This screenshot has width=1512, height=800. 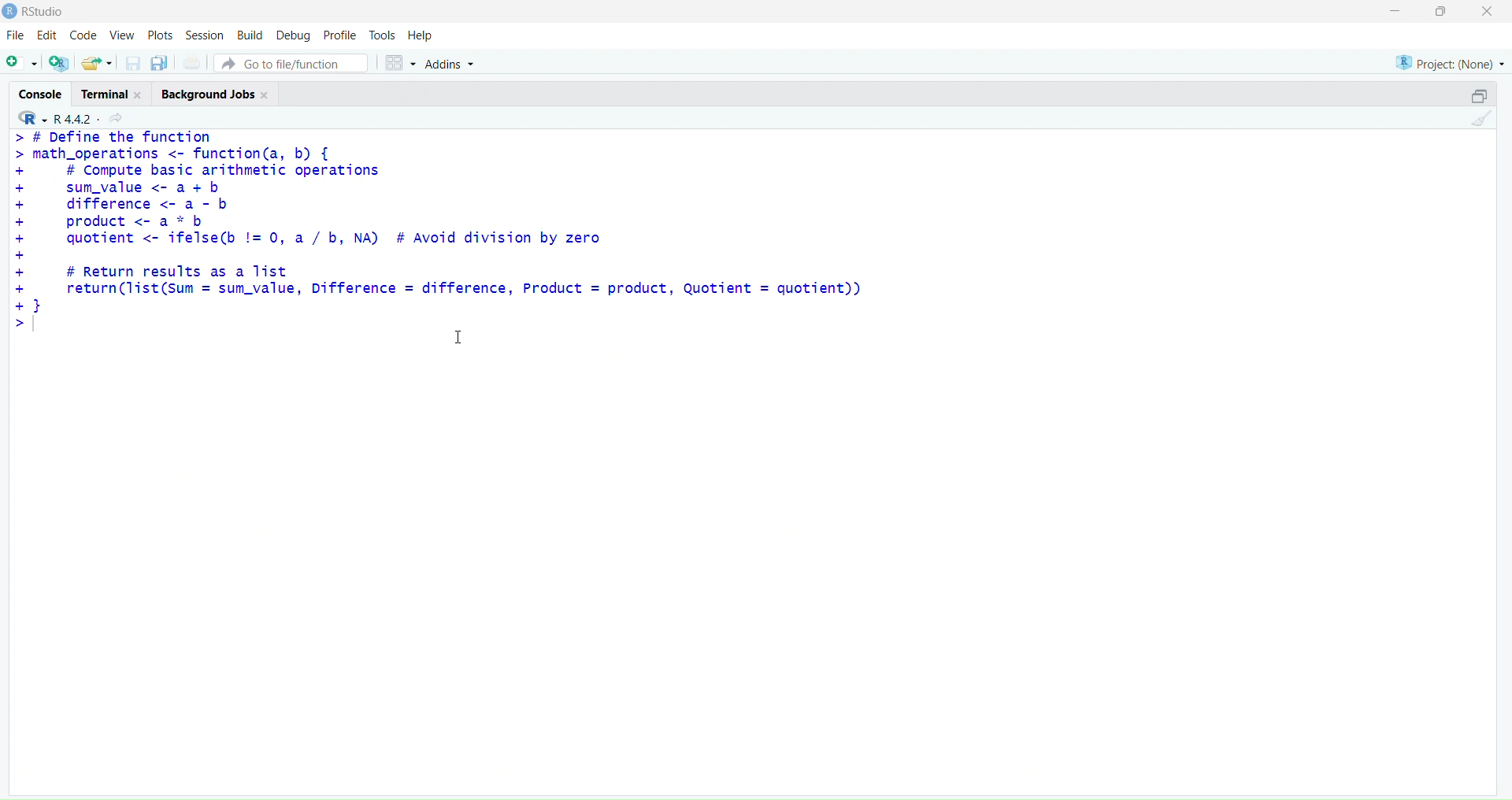 What do you see at coordinates (158, 35) in the screenshot?
I see `Plots` at bounding box center [158, 35].